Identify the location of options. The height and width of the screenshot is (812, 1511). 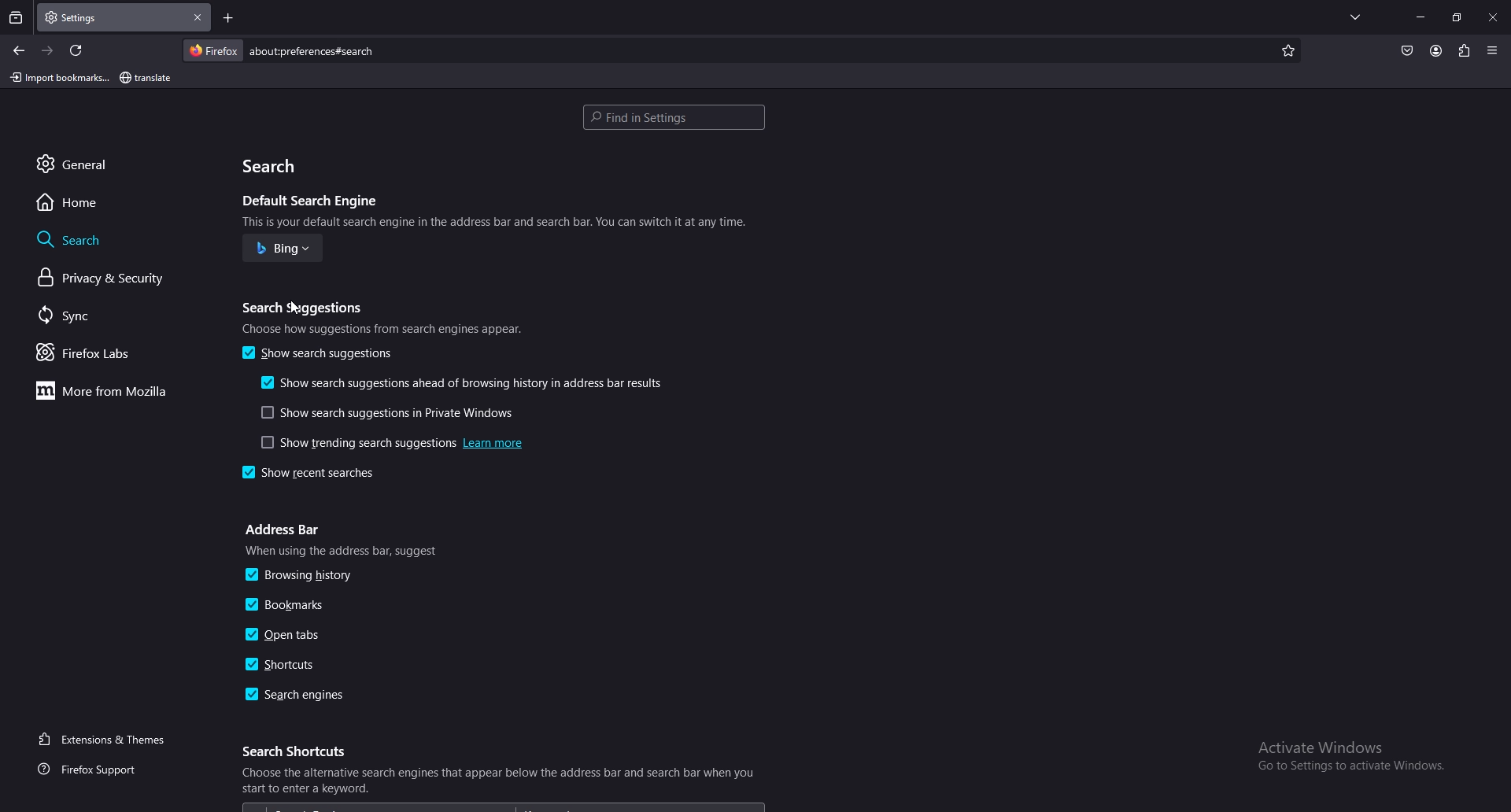
(1494, 49).